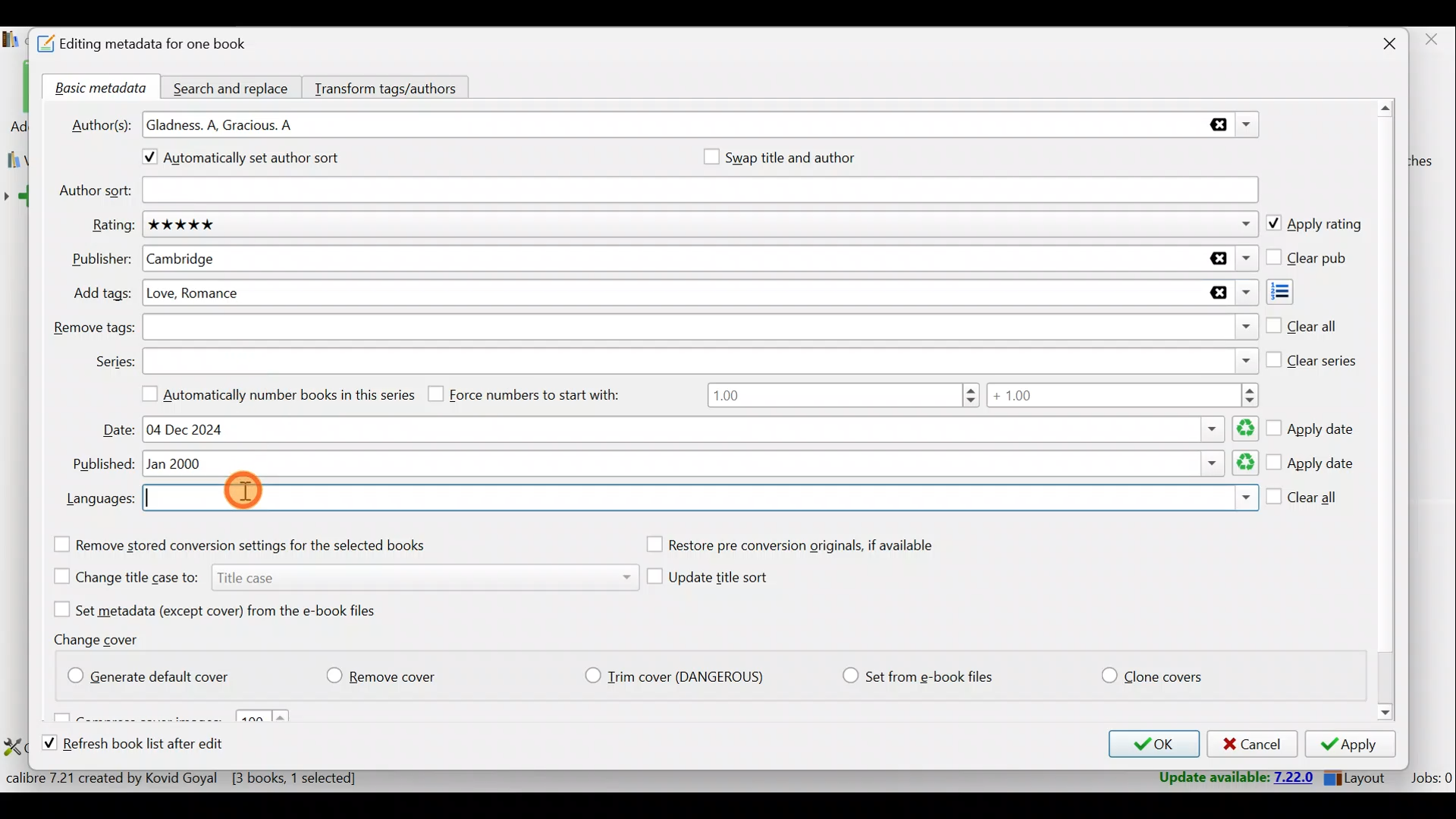 The width and height of the screenshot is (1456, 819). Describe the element at coordinates (99, 500) in the screenshot. I see `Languages:` at that location.